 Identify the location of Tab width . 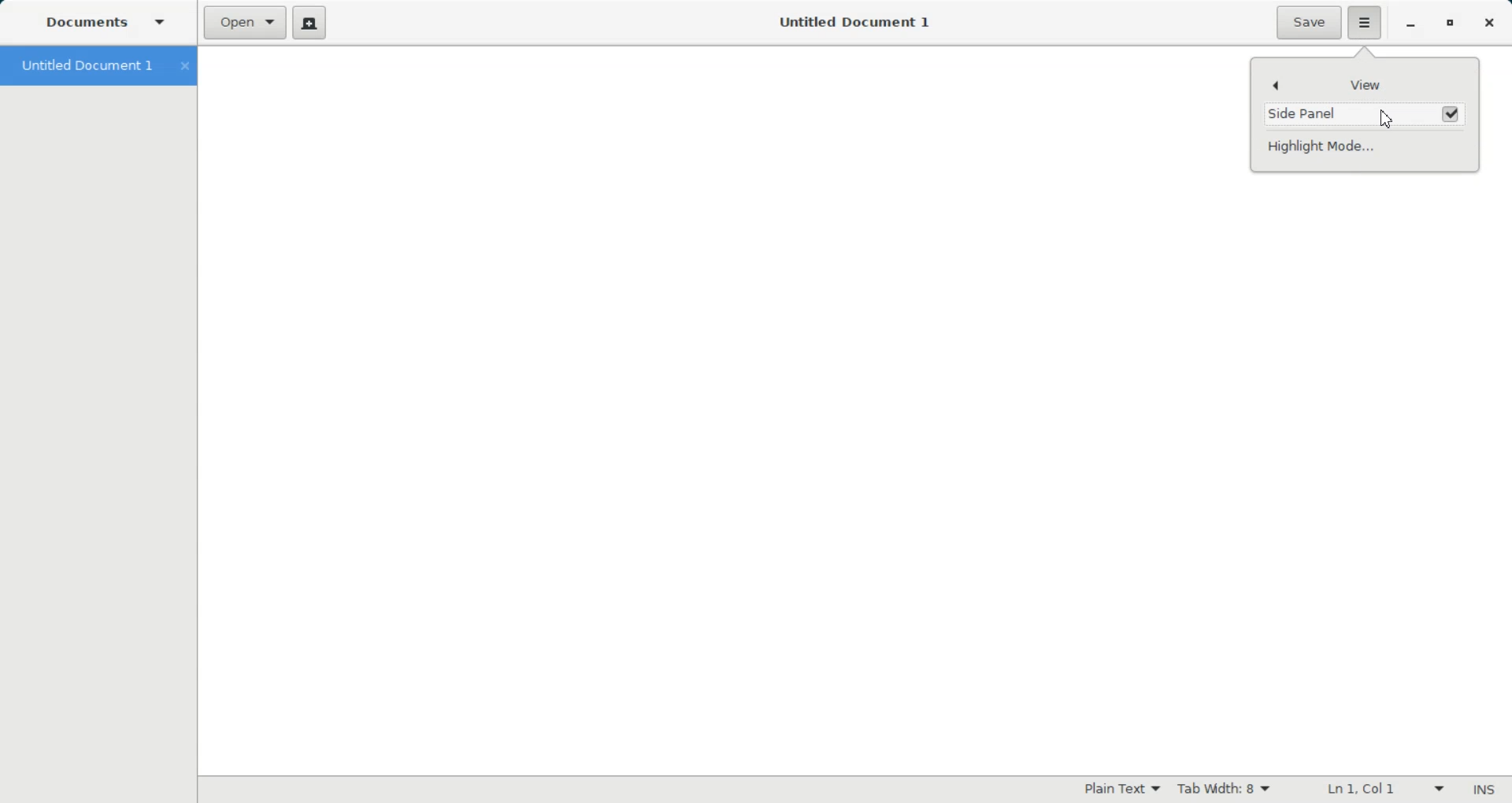
(1222, 789).